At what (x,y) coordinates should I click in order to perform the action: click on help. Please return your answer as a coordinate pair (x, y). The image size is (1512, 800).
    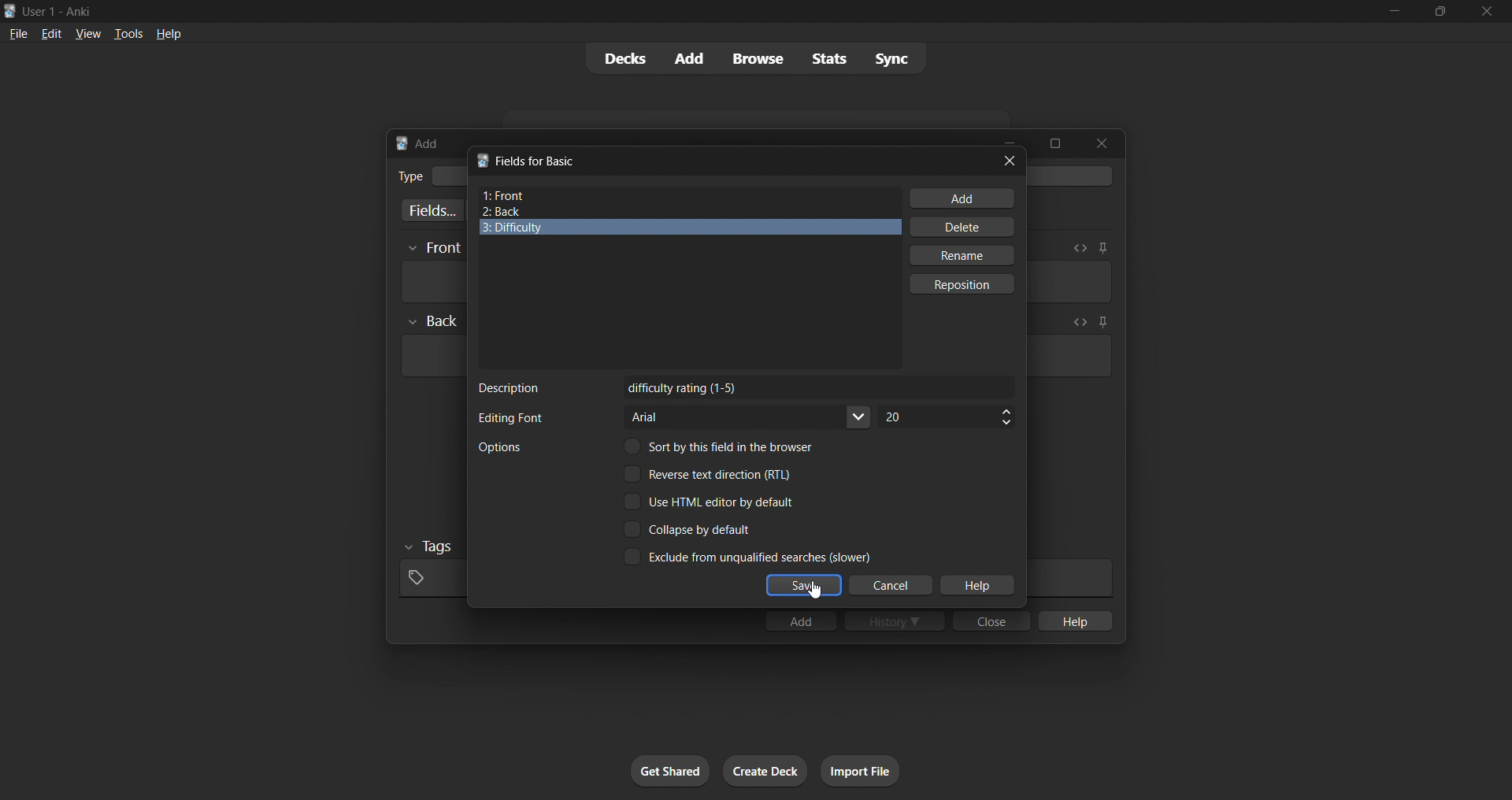
    Looking at the image, I should click on (976, 586).